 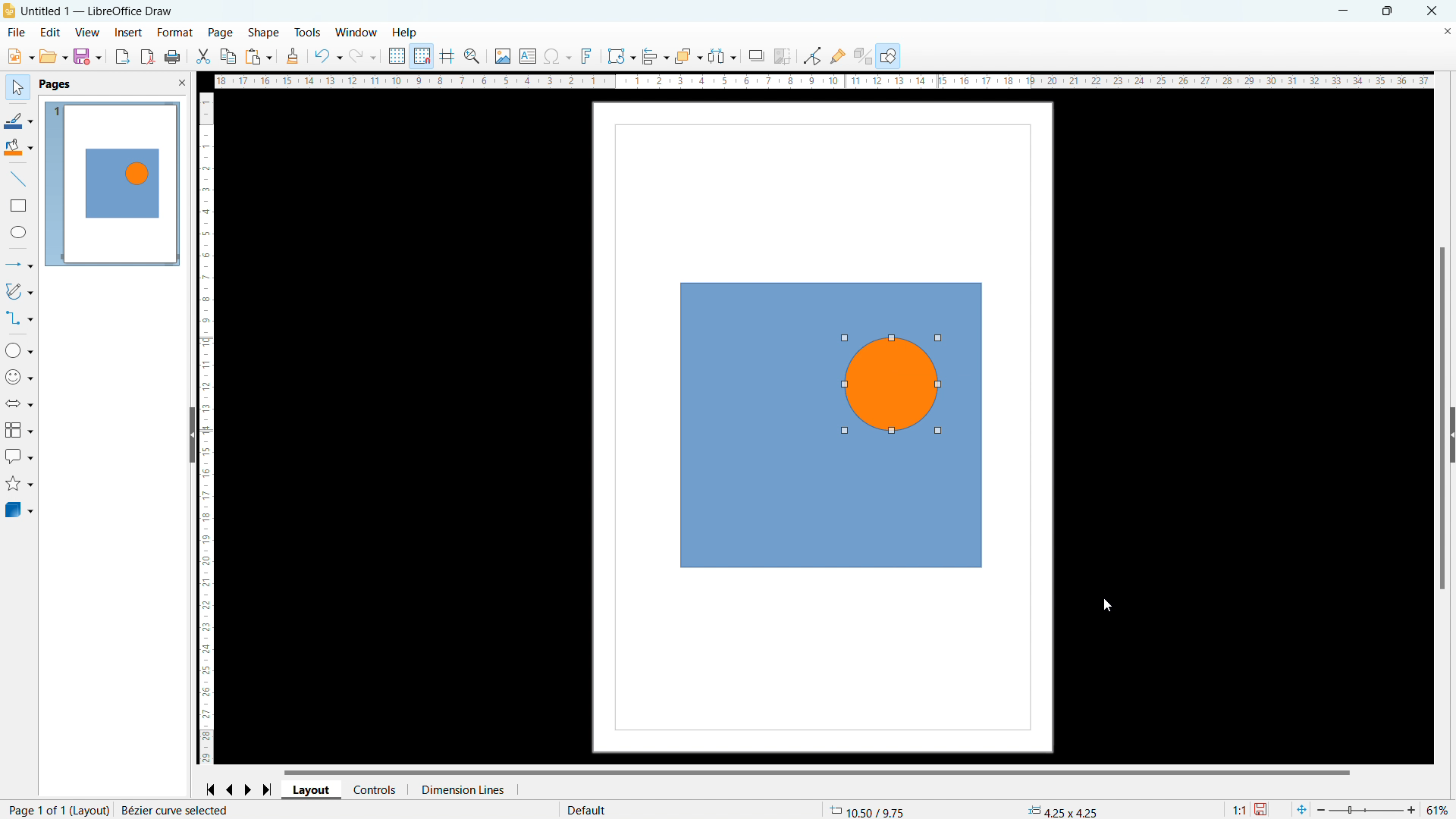 I want to click on select at least three objects to distribute, so click(x=723, y=56).